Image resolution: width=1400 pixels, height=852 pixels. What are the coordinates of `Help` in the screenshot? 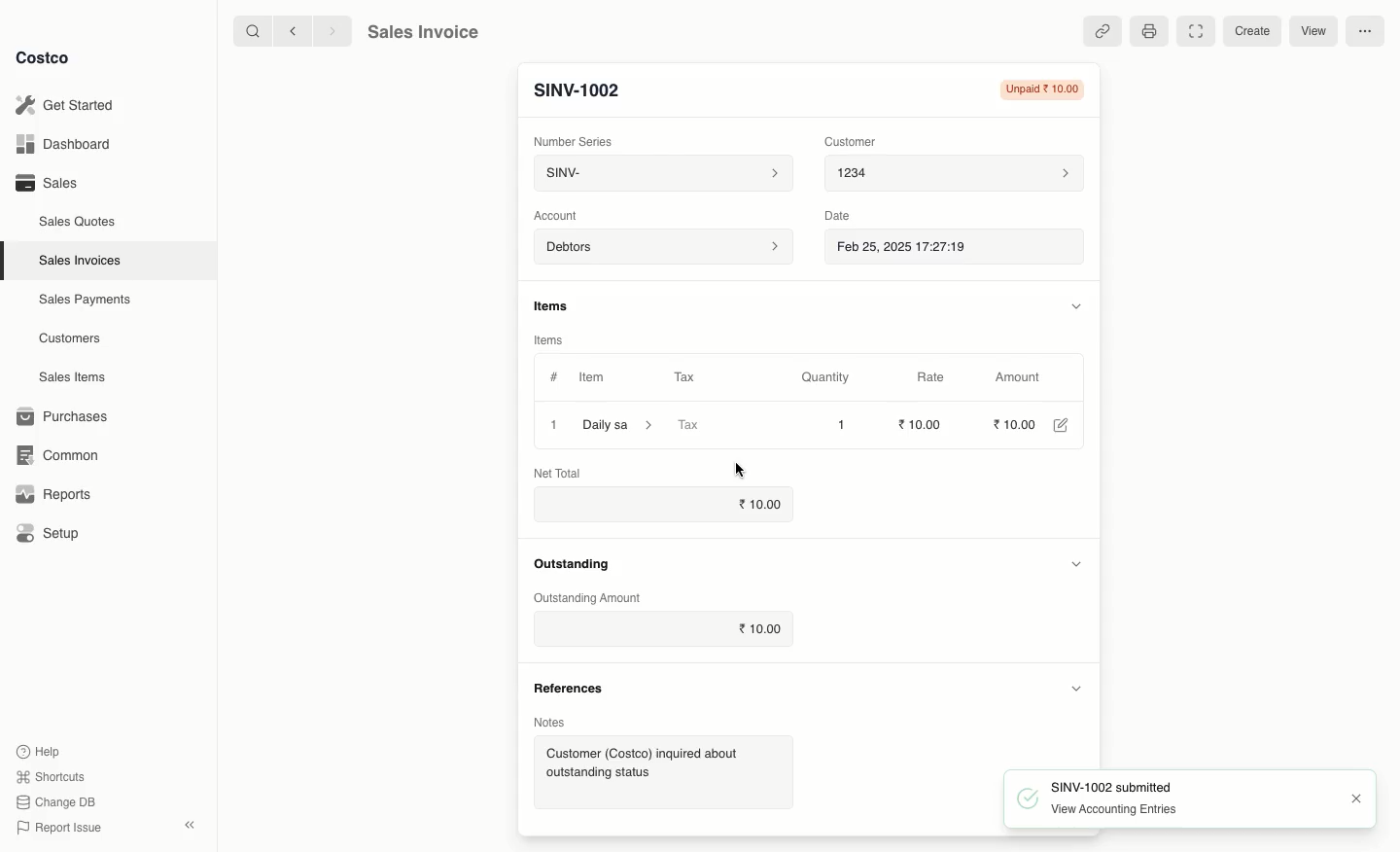 It's located at (42, 751).